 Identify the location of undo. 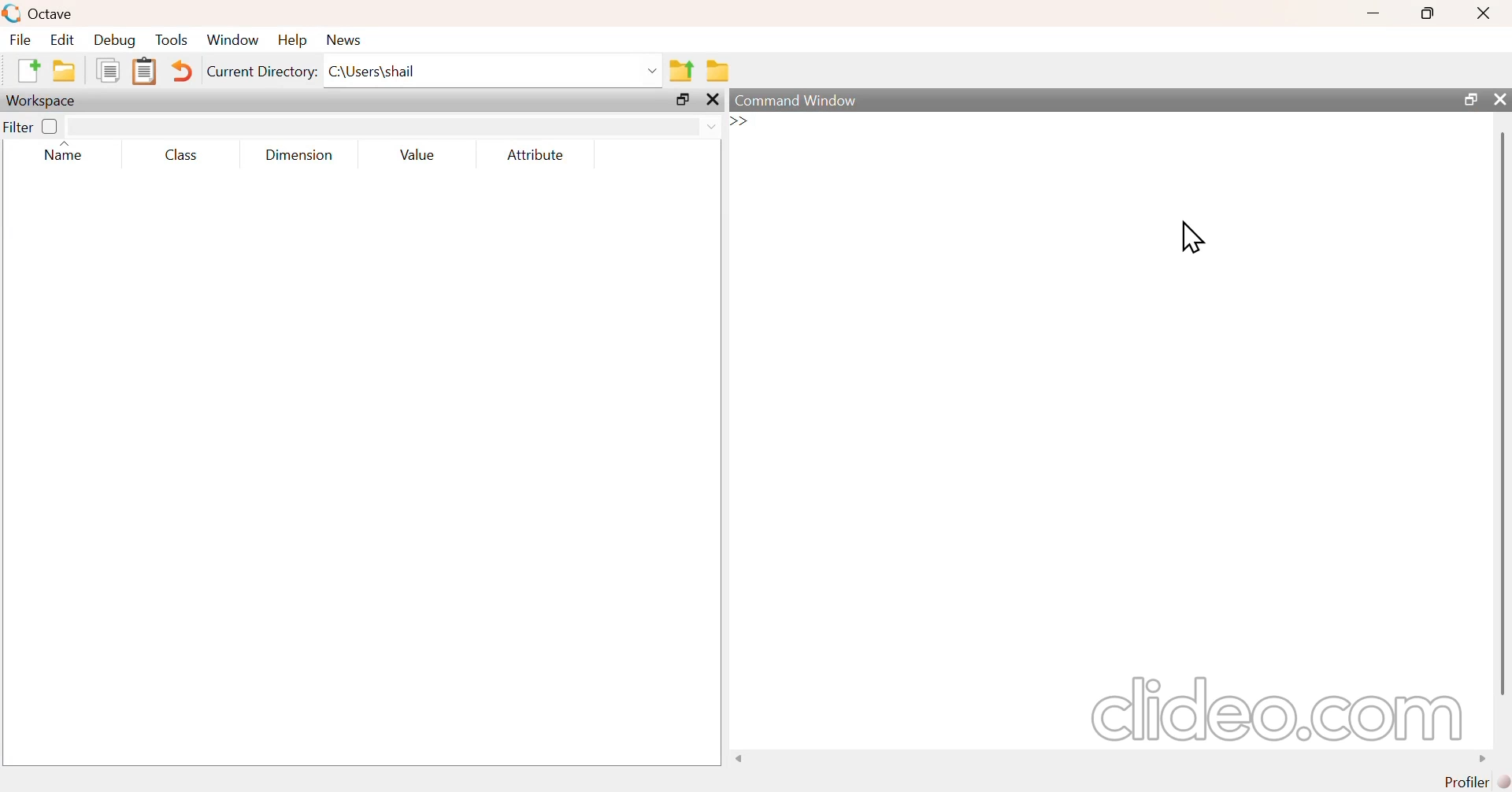
(186, 69).